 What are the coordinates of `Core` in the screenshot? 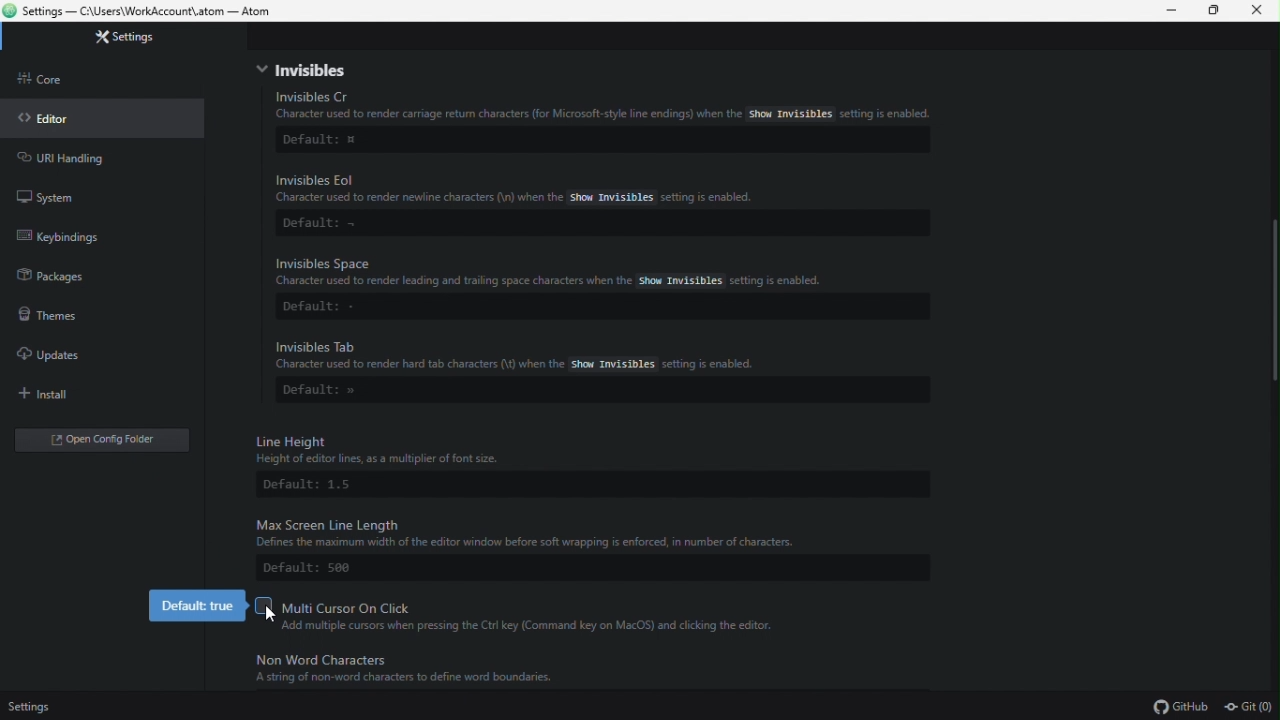 It's located at (66, 82).